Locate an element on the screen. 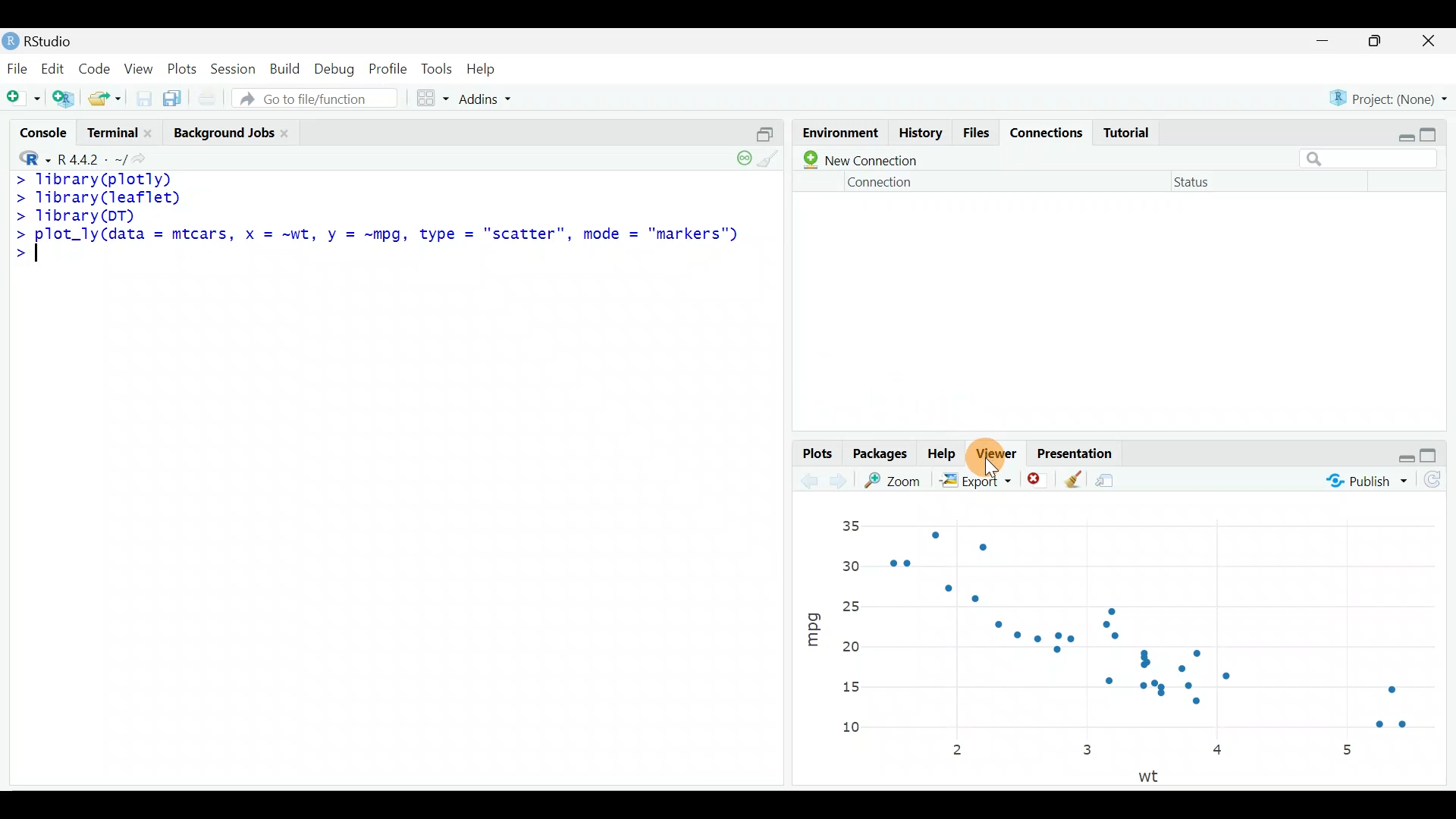 This screenshot has width=1456, height=819. clear console is located at coordinates (773, 162).